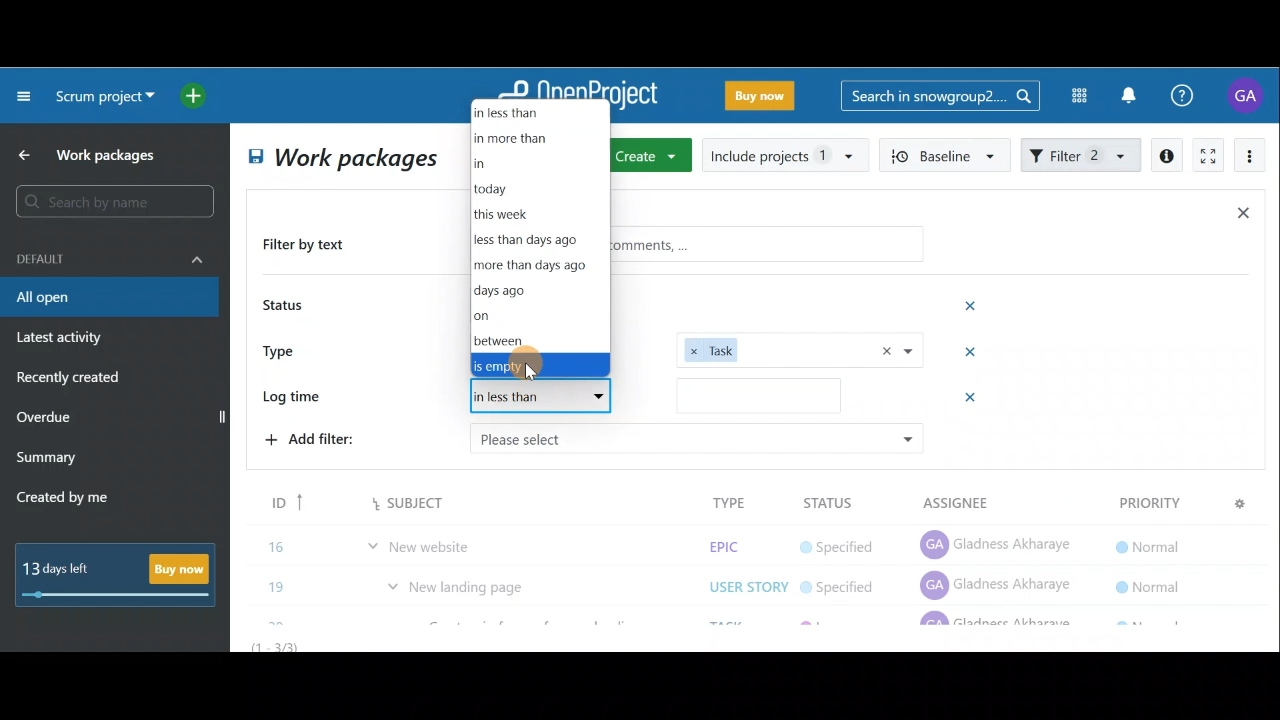 The height and width of the screenshot is (720, 1280). I want to click on less than days ago, so click(534, 240).